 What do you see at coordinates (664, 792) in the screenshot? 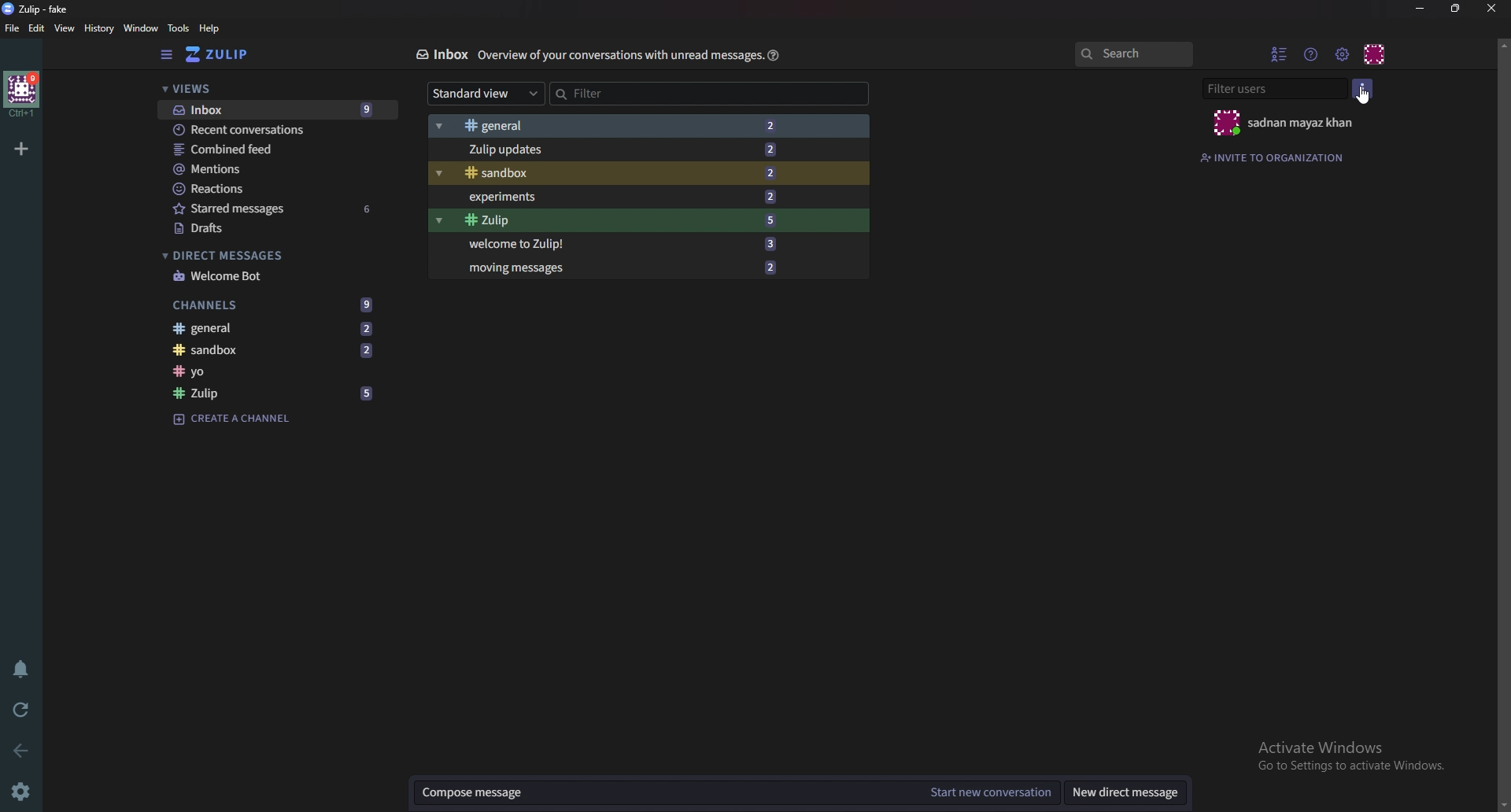
I see `Compose message` at bounding box center [664, 792].